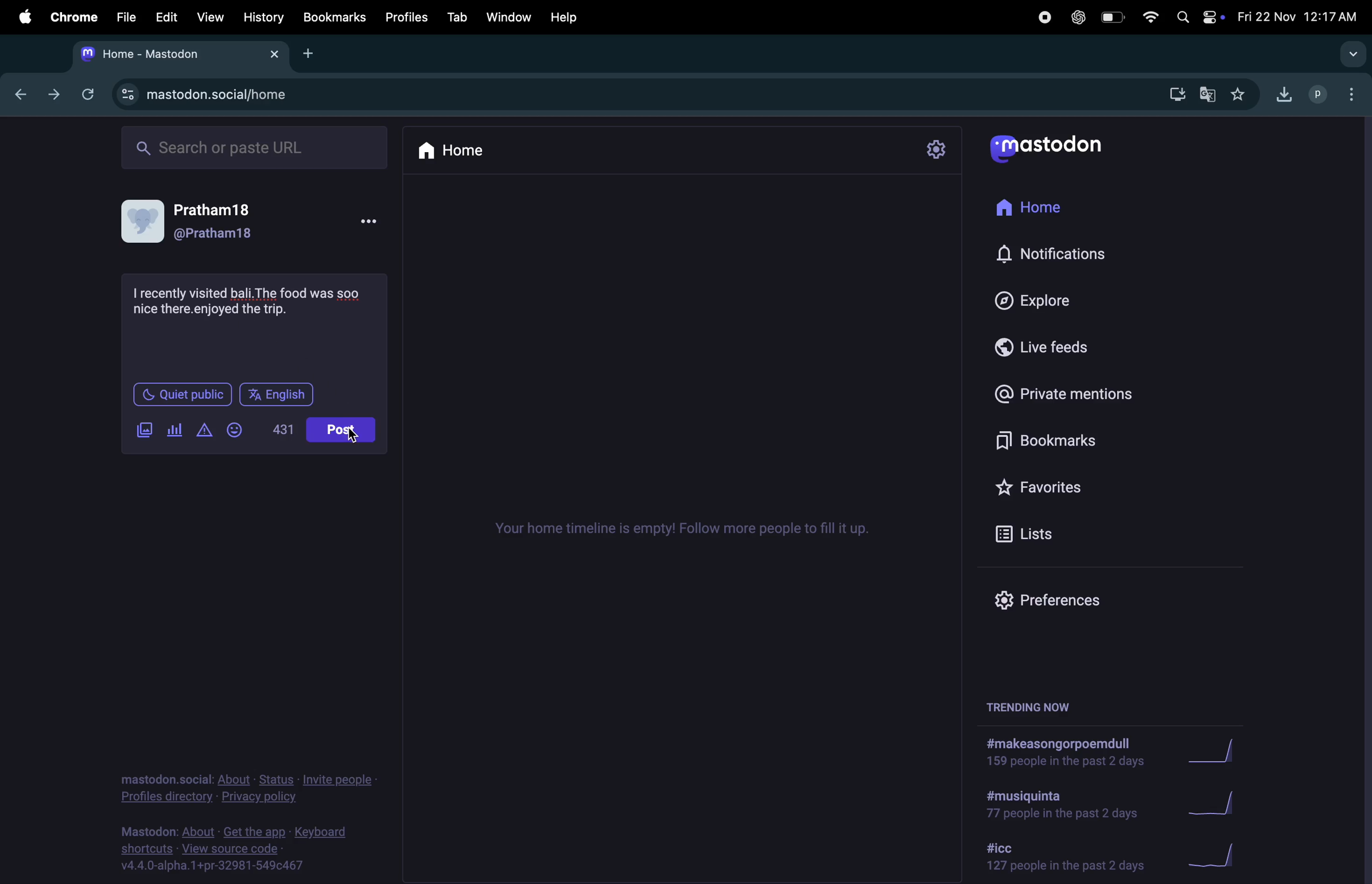  Describe the element at coordinates (1048, 253) in the screenshot. I see `notifications` at that location.